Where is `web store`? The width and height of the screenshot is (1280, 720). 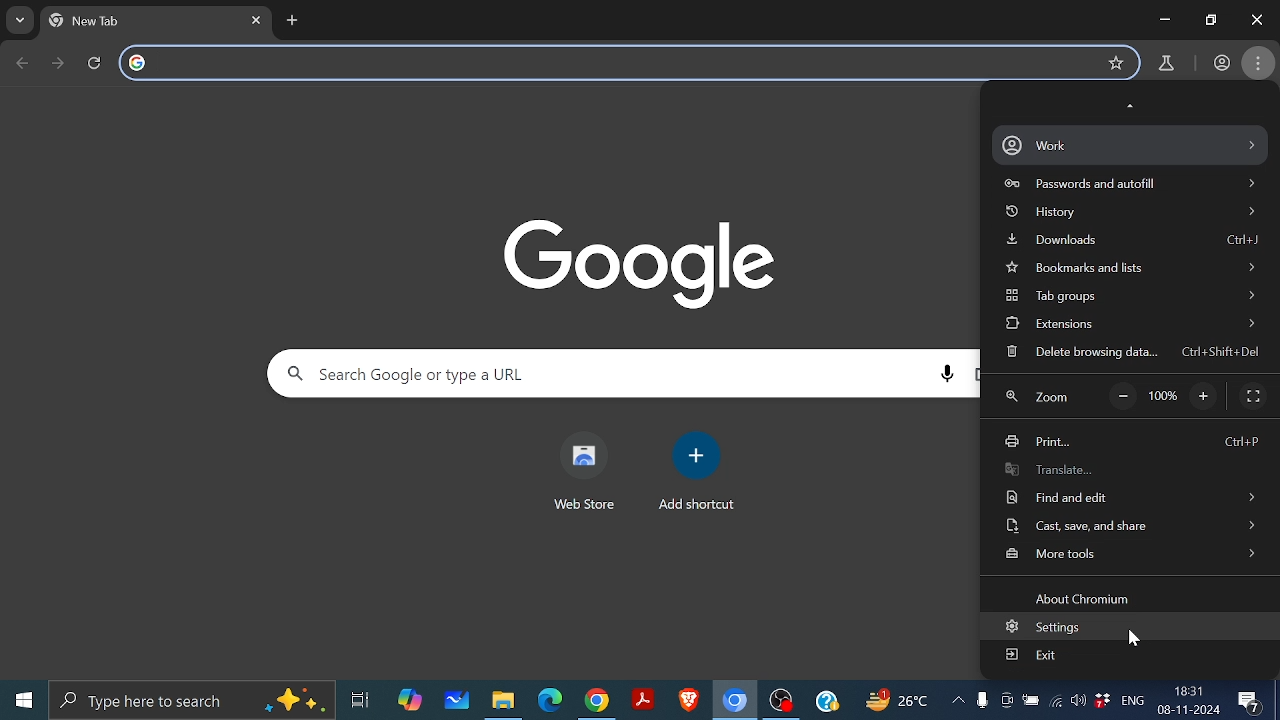
web store is located at coordinates (584, 454).